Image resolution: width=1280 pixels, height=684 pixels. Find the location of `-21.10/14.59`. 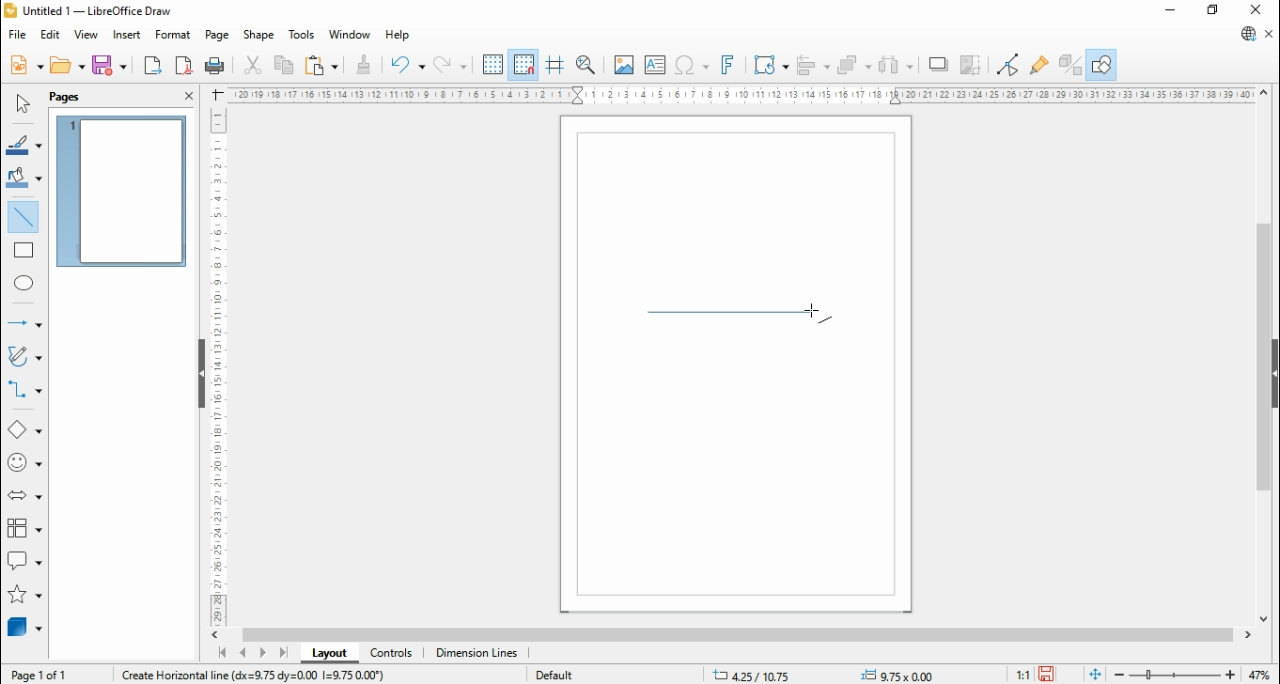

-21.10/14.59 is located at coordinates (763, 675).